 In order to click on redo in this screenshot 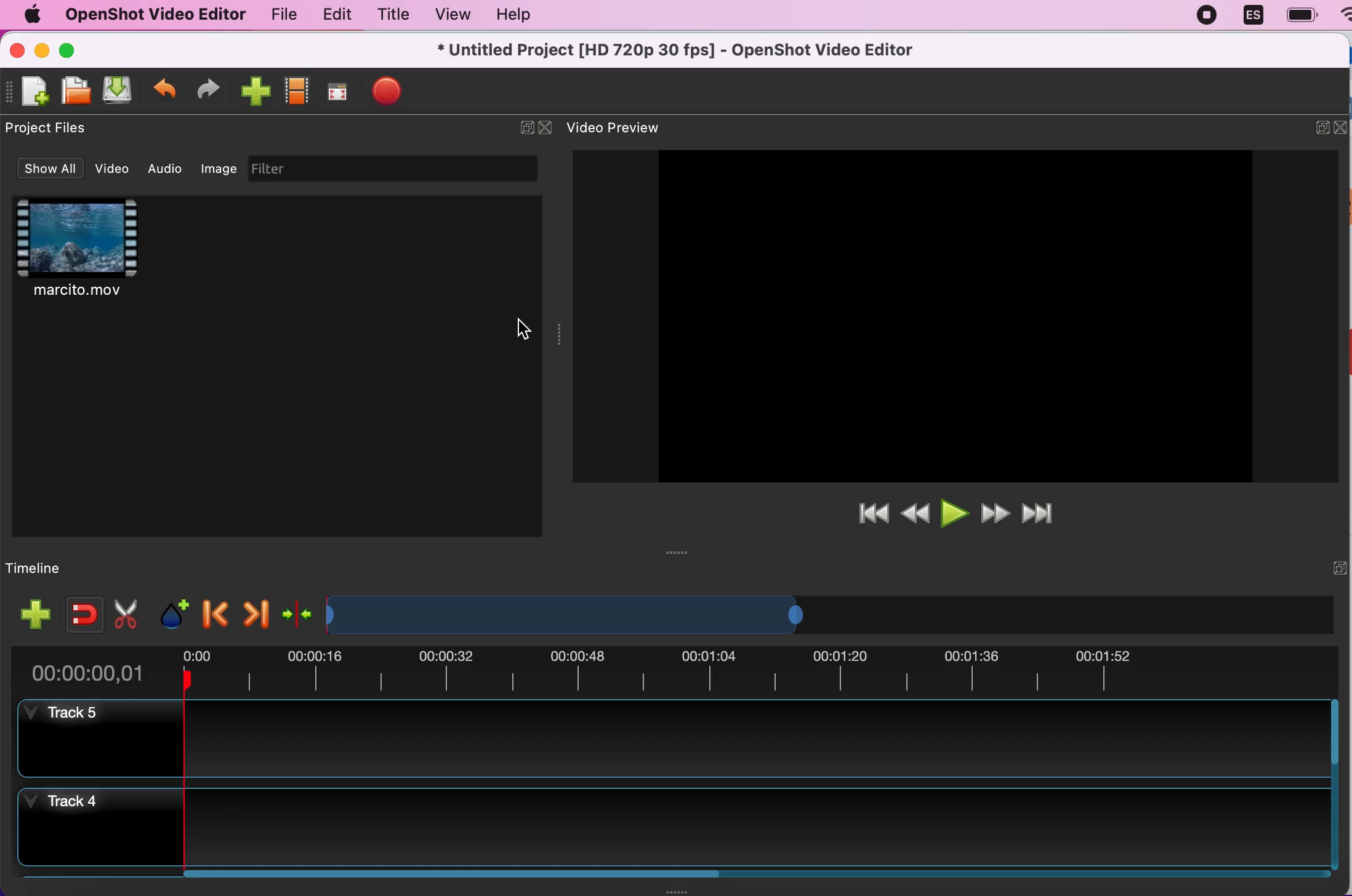, I will do `click(209, 90)`.